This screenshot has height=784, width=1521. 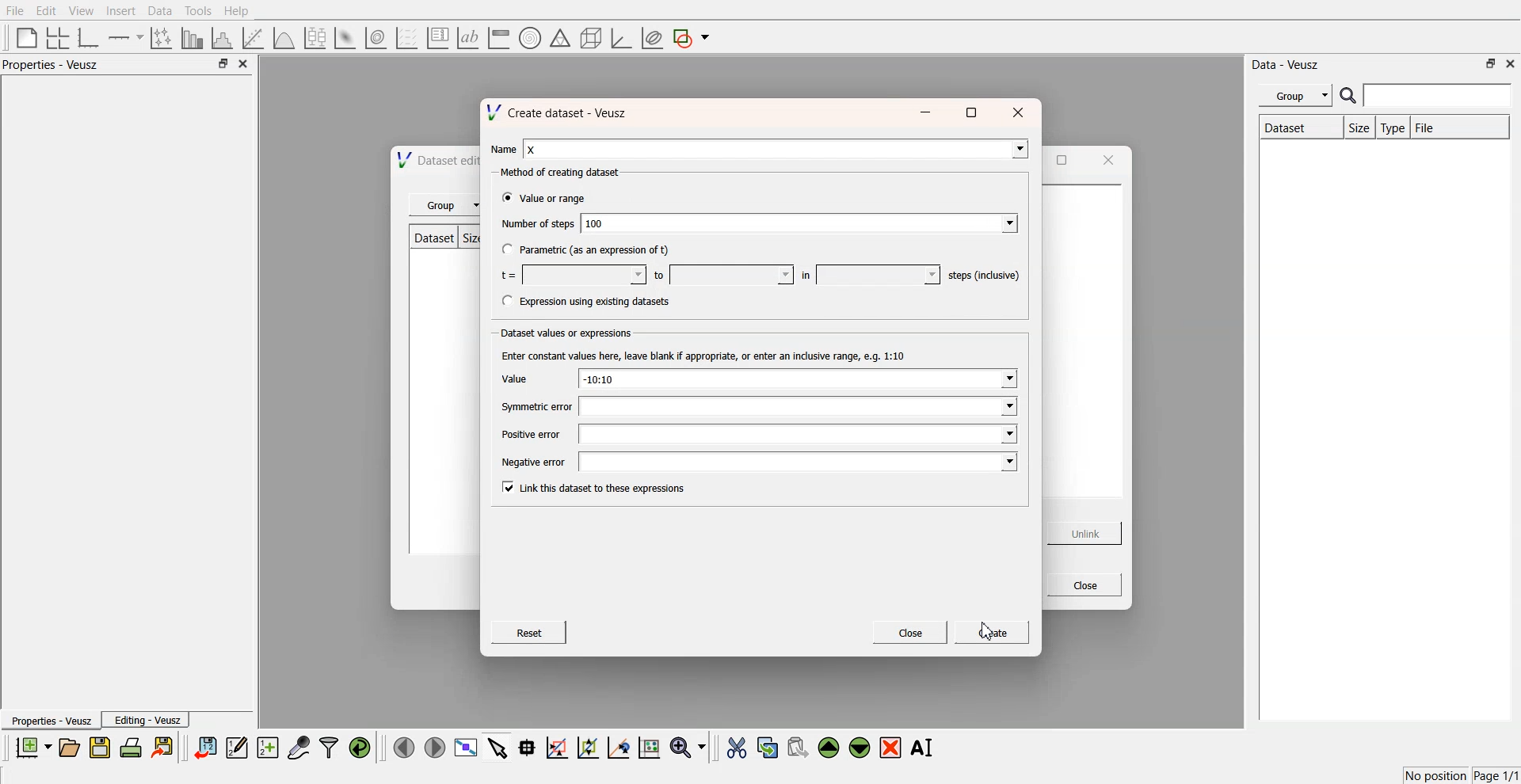 What do you see at coordinates (225, 37) in the screenshot?
I see `histogram` at bounding box center [225, 37].